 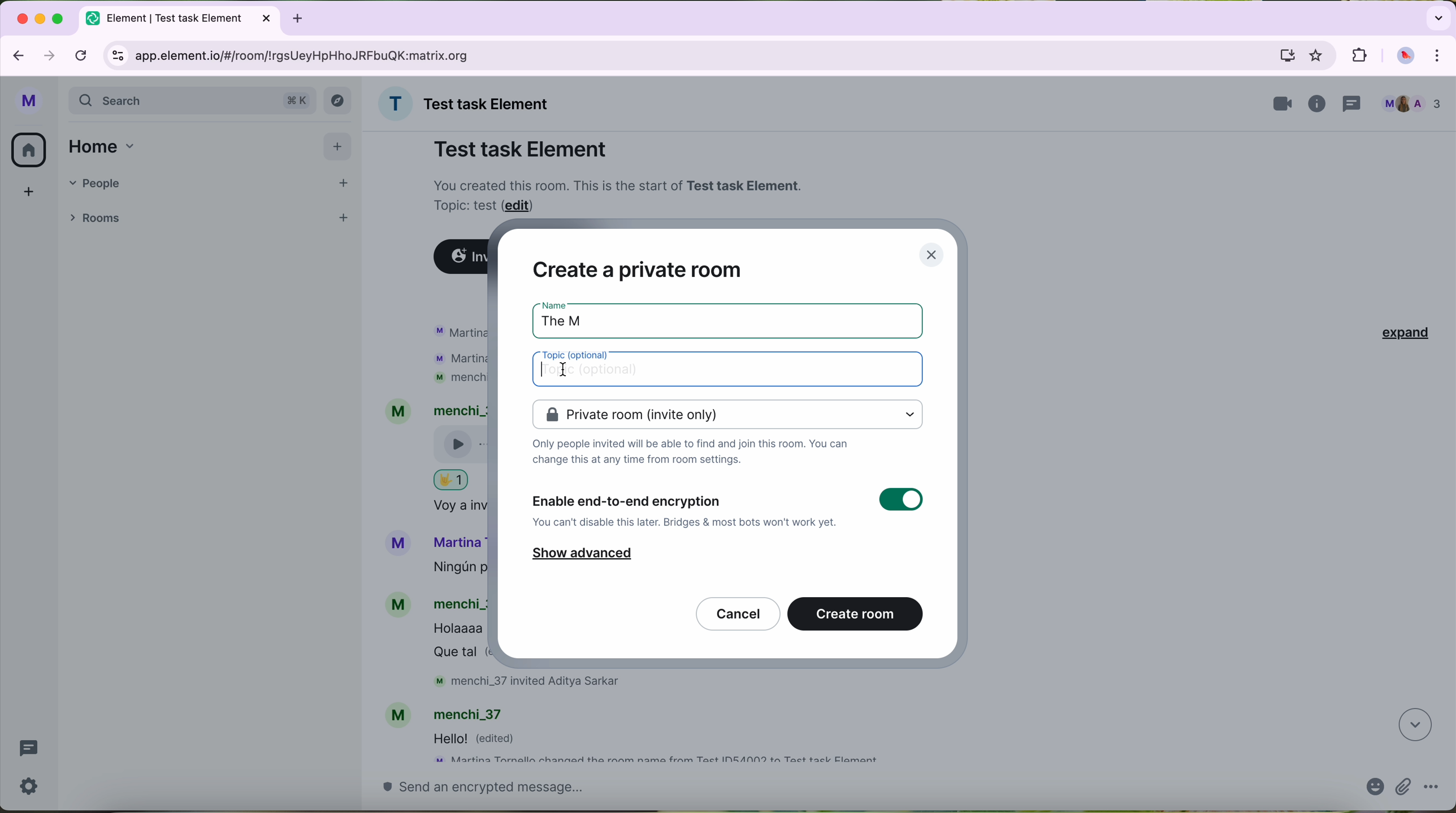 I want to click on click on topic, so click(x=731, y=371).